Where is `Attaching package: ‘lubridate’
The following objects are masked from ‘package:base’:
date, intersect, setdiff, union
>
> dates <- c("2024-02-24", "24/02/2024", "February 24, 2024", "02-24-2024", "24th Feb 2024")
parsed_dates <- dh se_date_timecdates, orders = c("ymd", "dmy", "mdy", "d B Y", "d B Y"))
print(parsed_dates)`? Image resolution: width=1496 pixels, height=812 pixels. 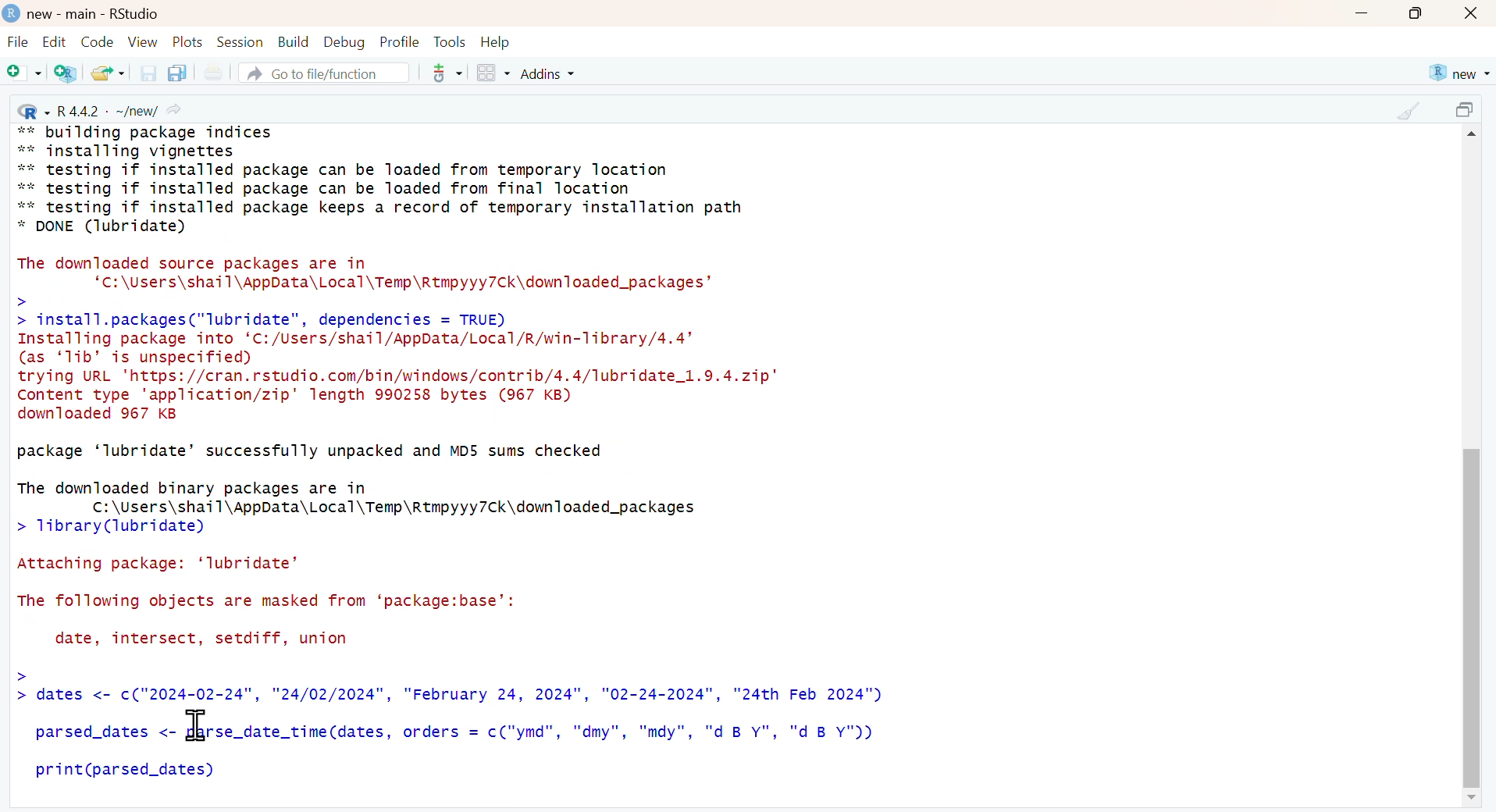
Attaching package: ‘lubridate’
The following objects are masked from ‘package:base’:
date, intersect, setdiff, union
>
> dates <- c("2024-02-24", "24/02/2024", "February 24, 2024", "02-24-2024", "24th Feb 2024")
parsed_dates <- dh se_date_timecdates, orders = c("ymd", "dmy", "mdy", "d B Y", "d B Y"))
print(parsed_dates) is located at coordinates (450, 669).